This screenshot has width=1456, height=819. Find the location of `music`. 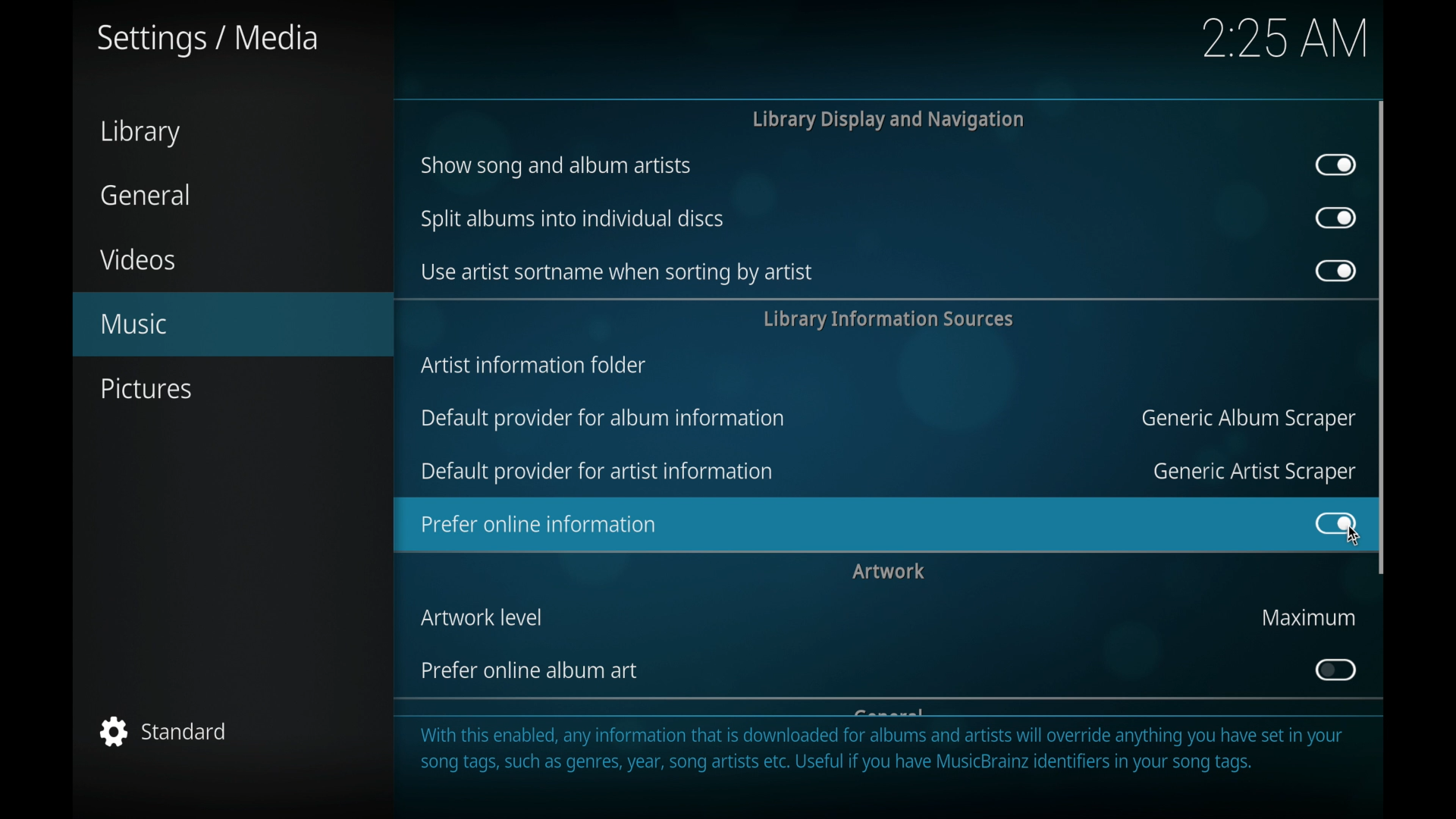

music is located at coordinates (233, 325).